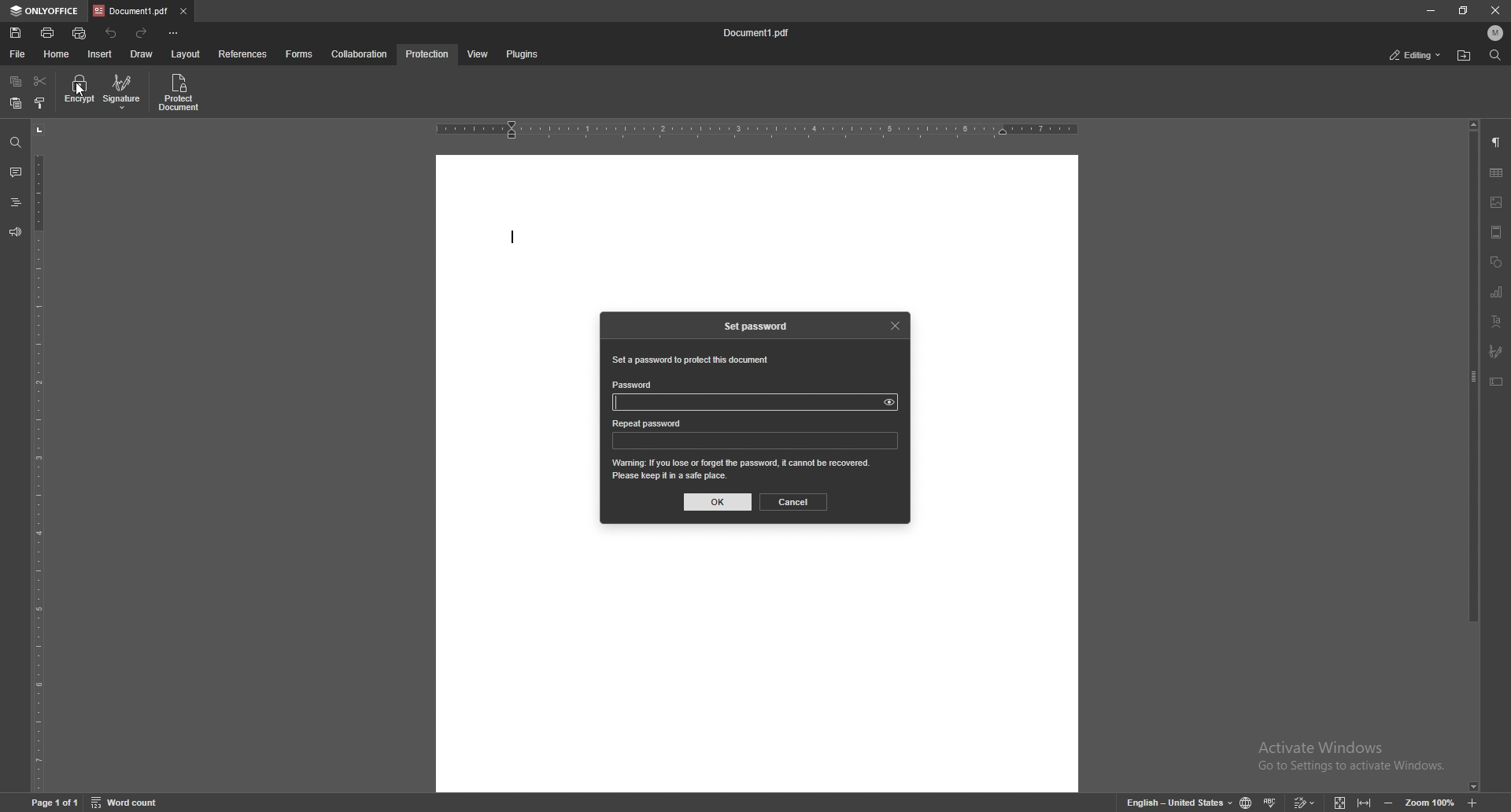 This screenshot has height=812, width=1511. I want to click on find, so click(1494, 55).